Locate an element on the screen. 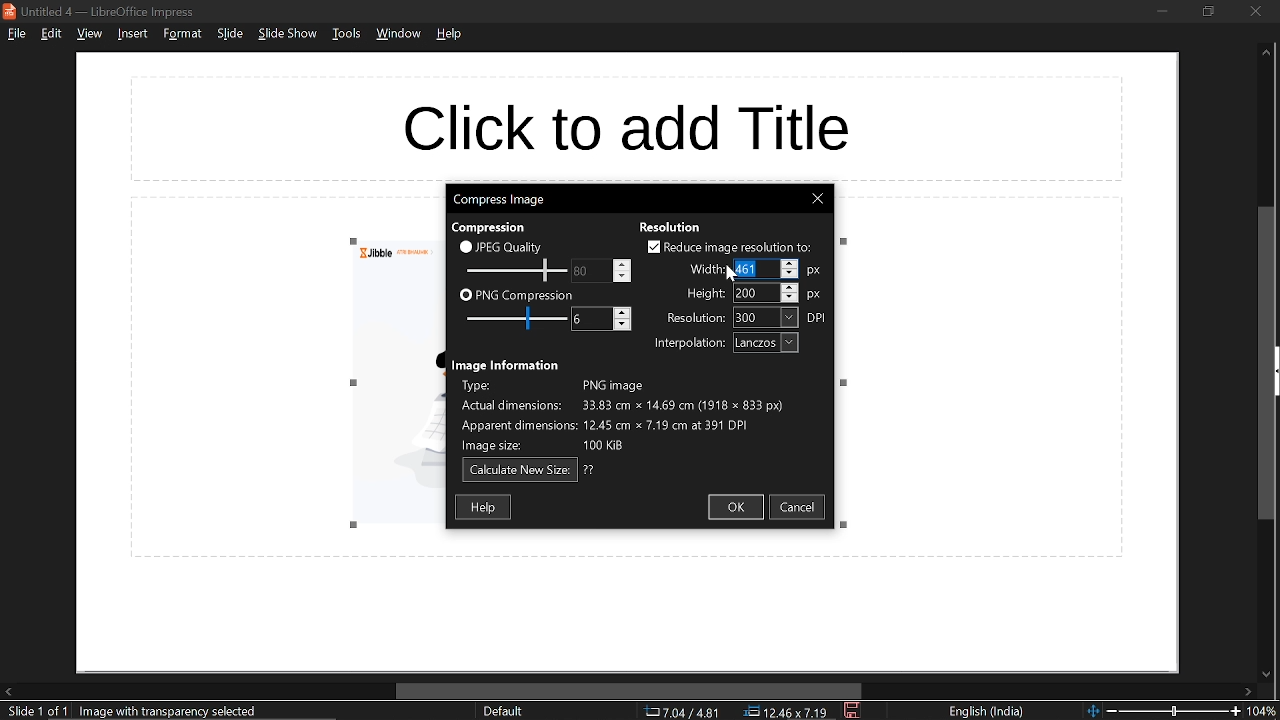 This screenshot has height=720, width=1280. change PNG compression is located at coordinates (582, 318).